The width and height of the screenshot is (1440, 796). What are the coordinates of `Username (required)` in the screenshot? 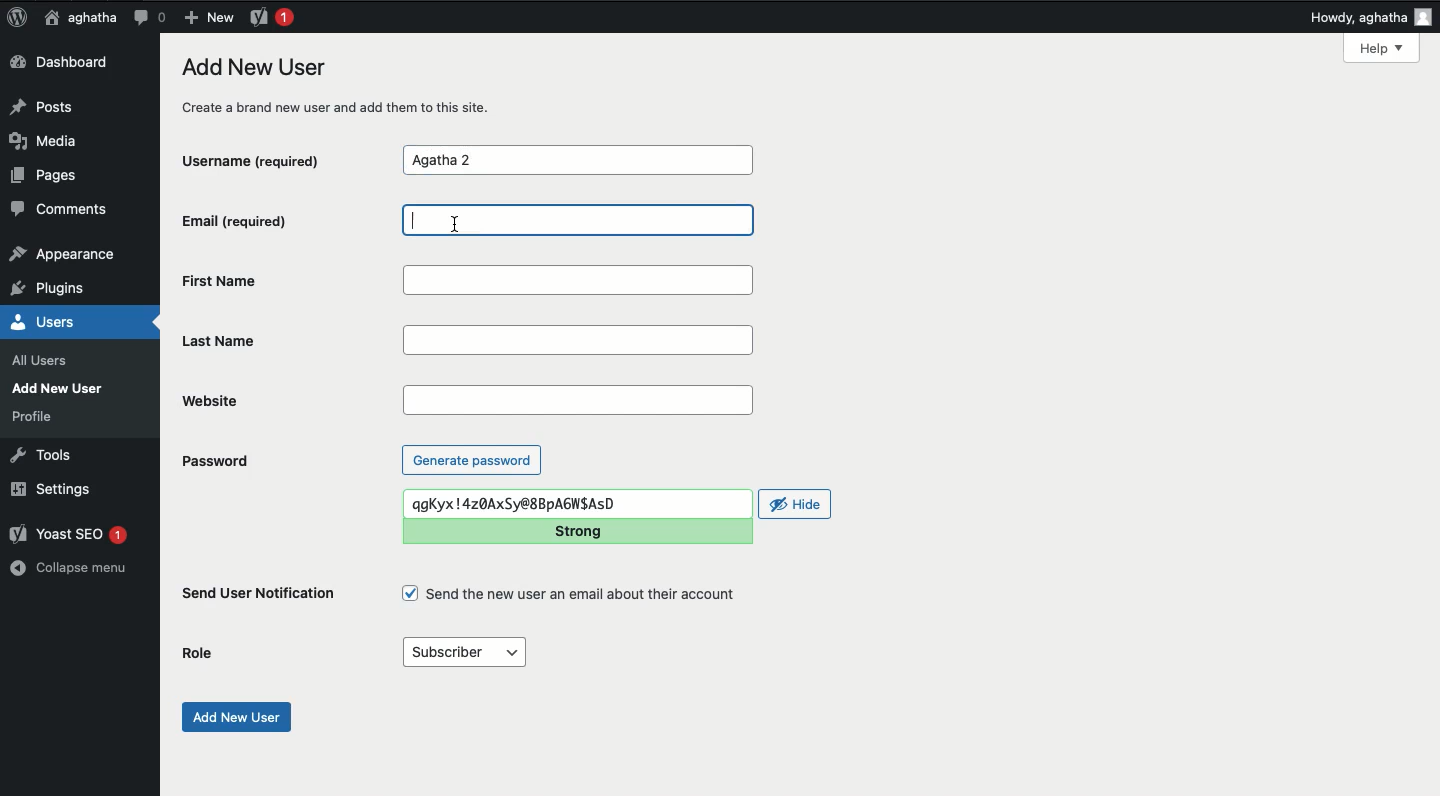 It's located at (269, 159).